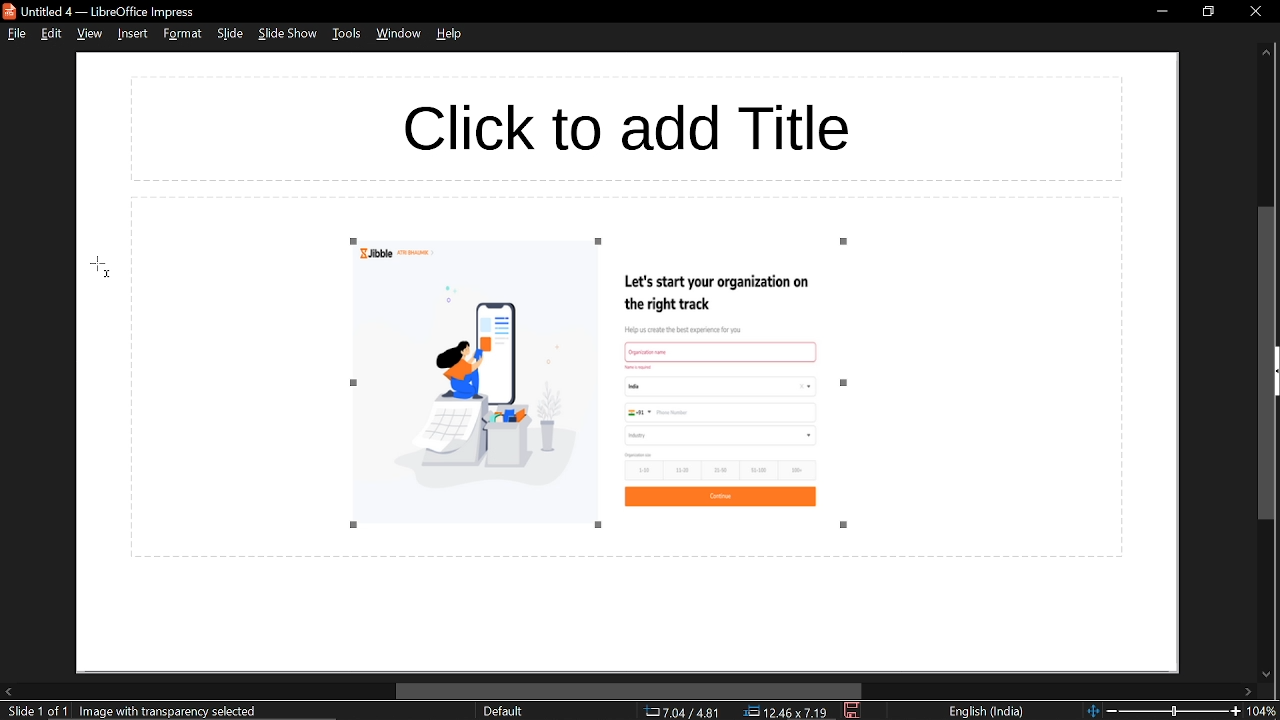  What do you see at coordinates (102, 10) in the screenshot?
I see `current window` at bounding box center [102, 10].